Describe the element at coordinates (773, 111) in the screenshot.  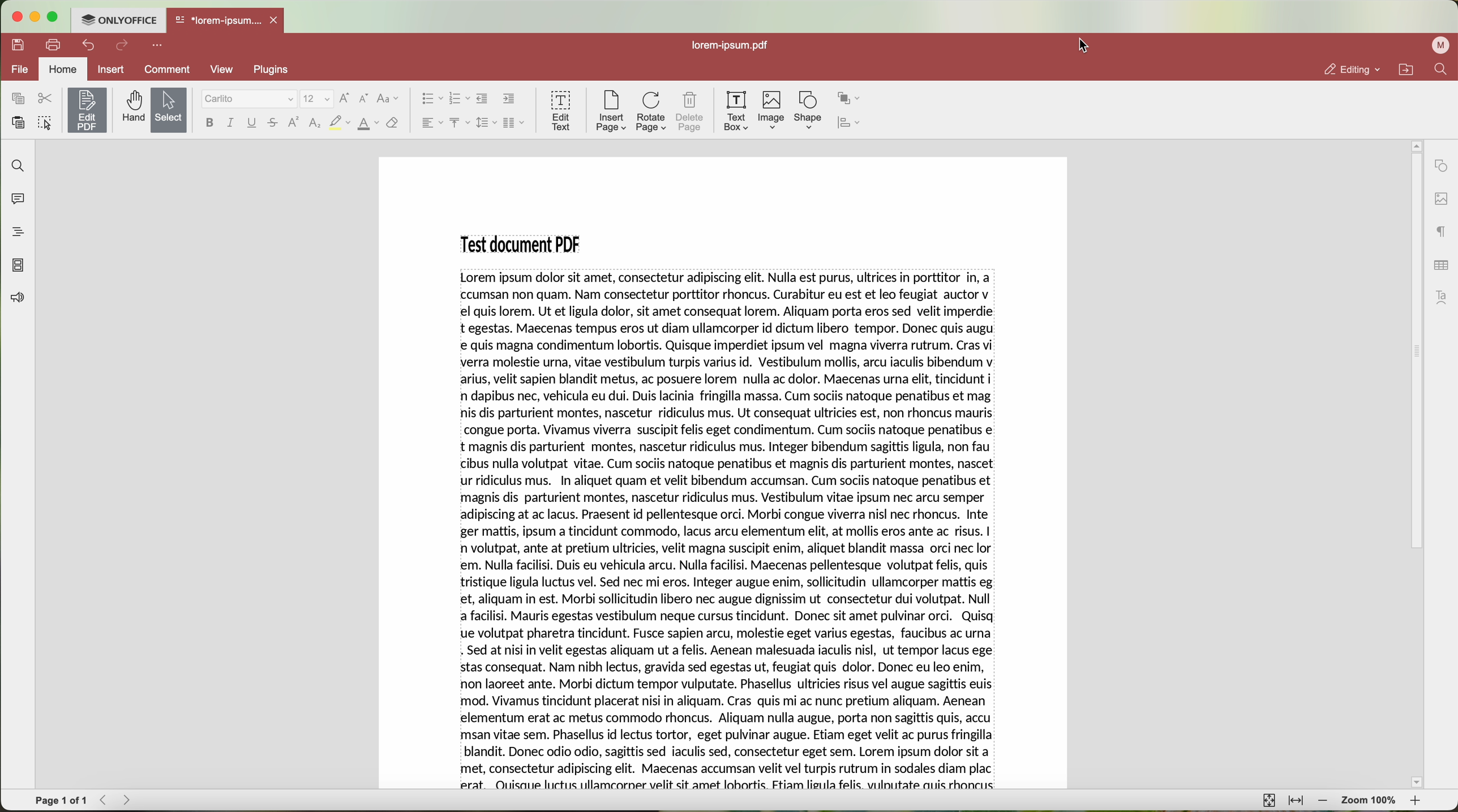
I see `image` at that location.